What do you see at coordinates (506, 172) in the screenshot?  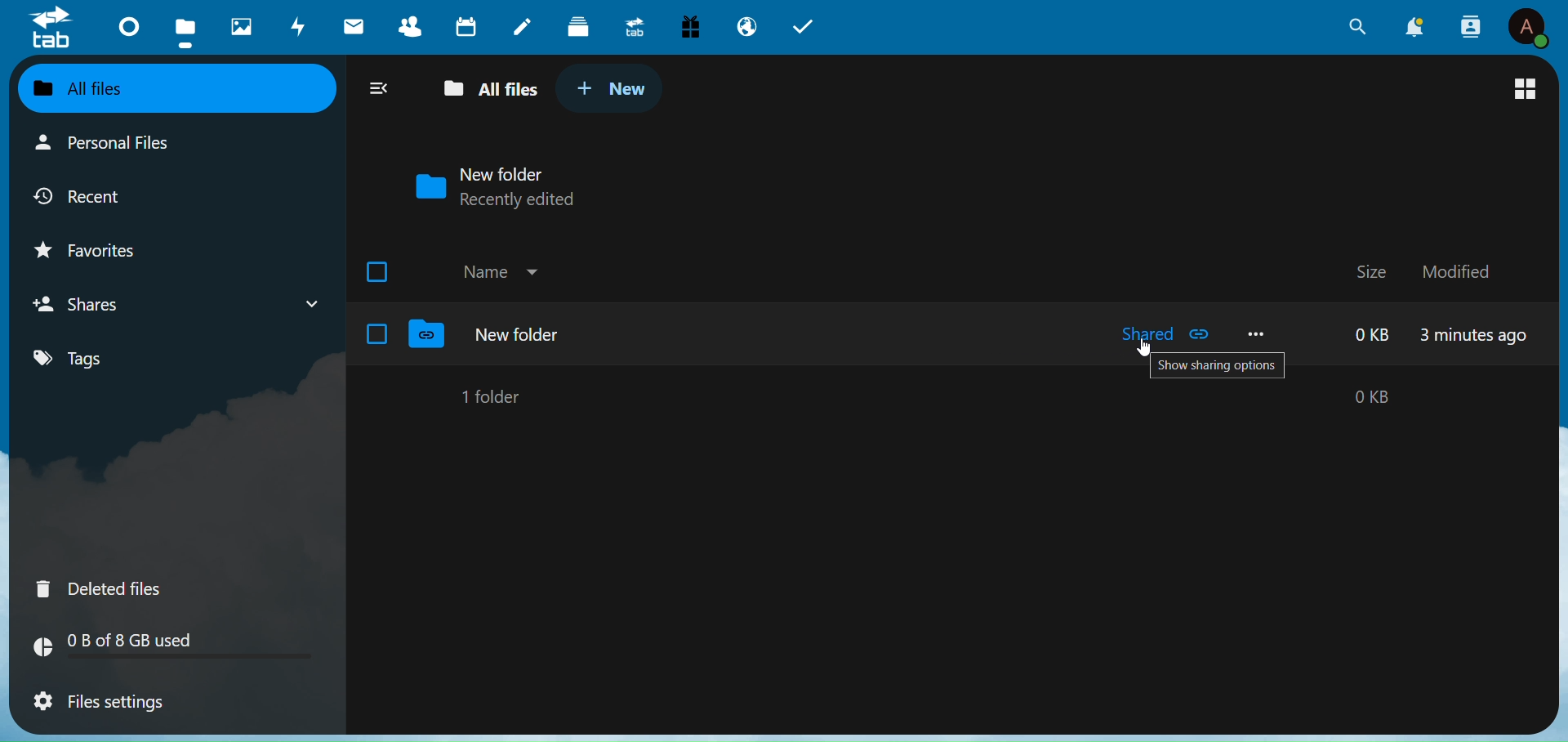 I see `New Folder` at bounding box center [506, 172].